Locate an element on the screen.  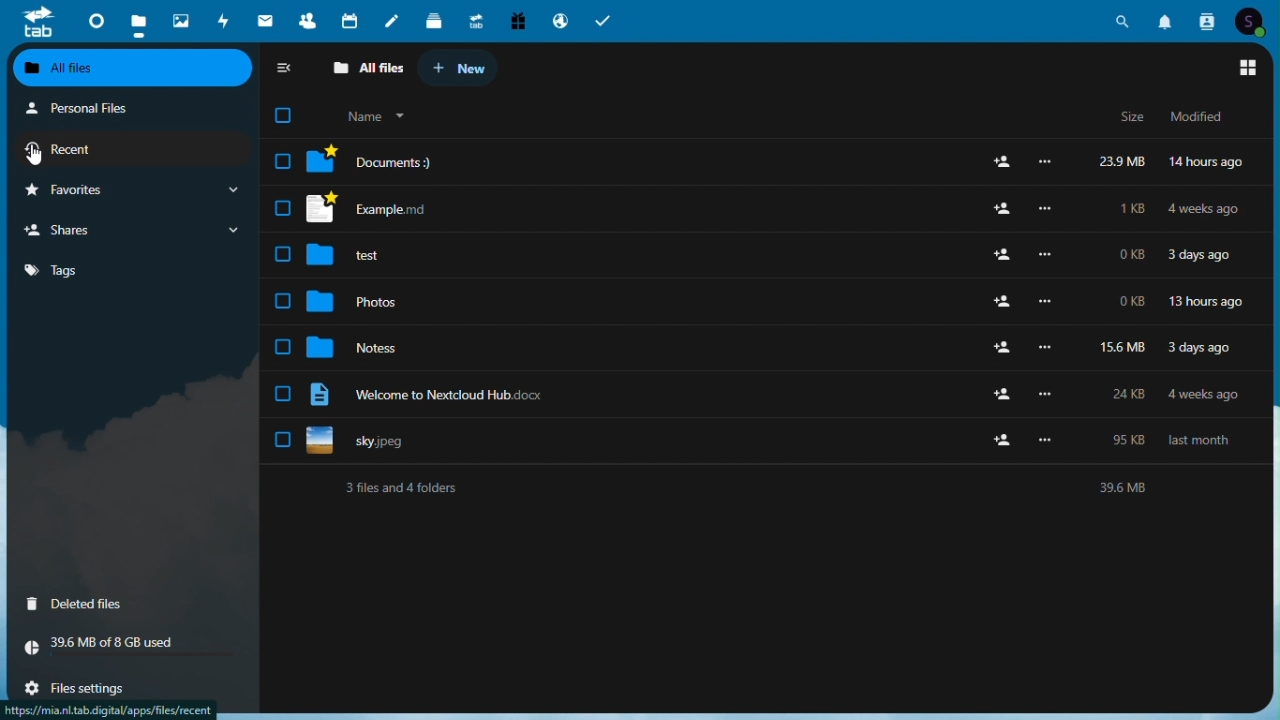
search is located at coordinates (1124, 22).